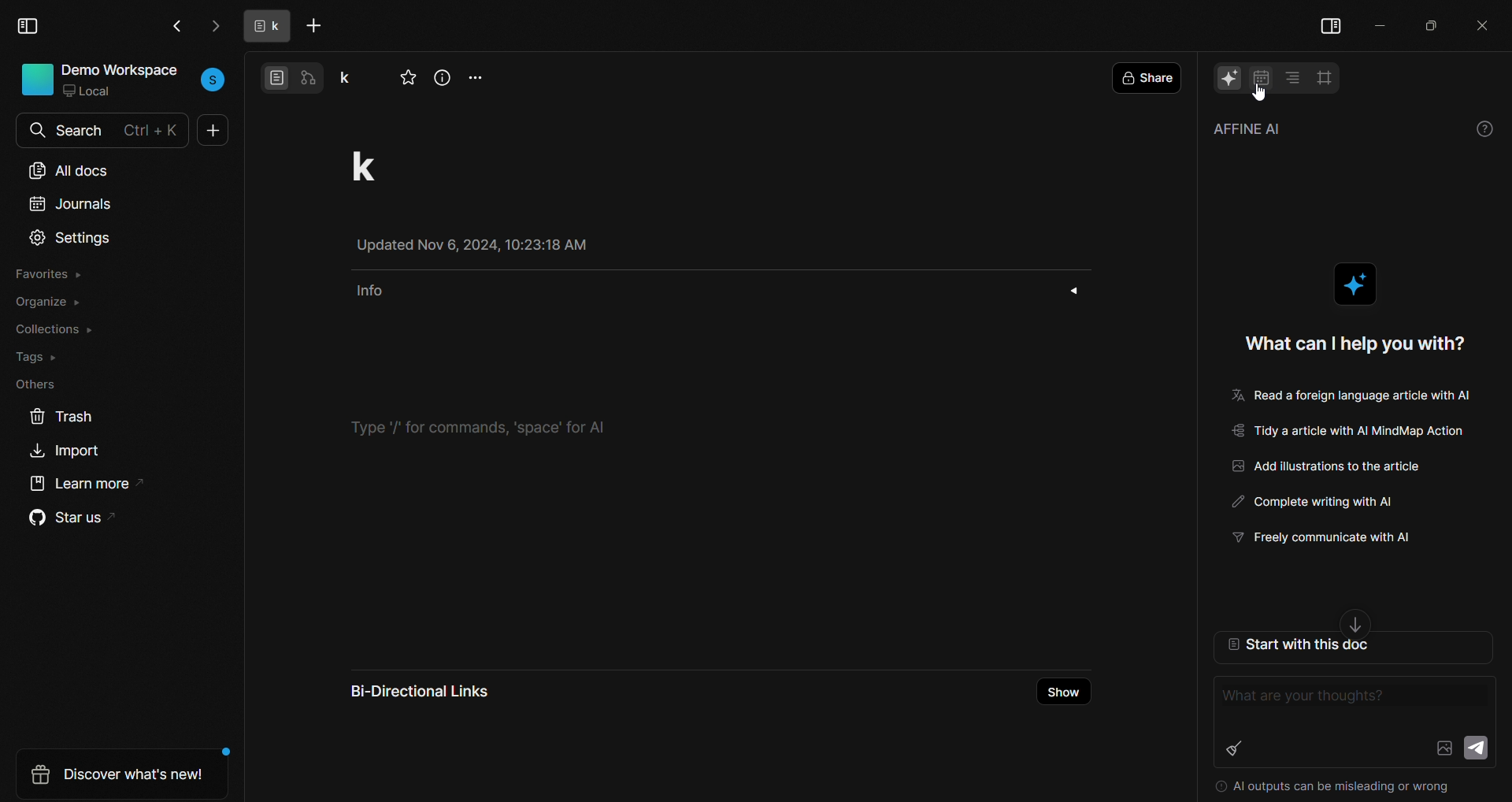 The height and width of the screenshot is (802, 1512). What do you see at coordinates (1442, 748) in the screenshot?
I see `add image` at bounding box center [1442, 748].